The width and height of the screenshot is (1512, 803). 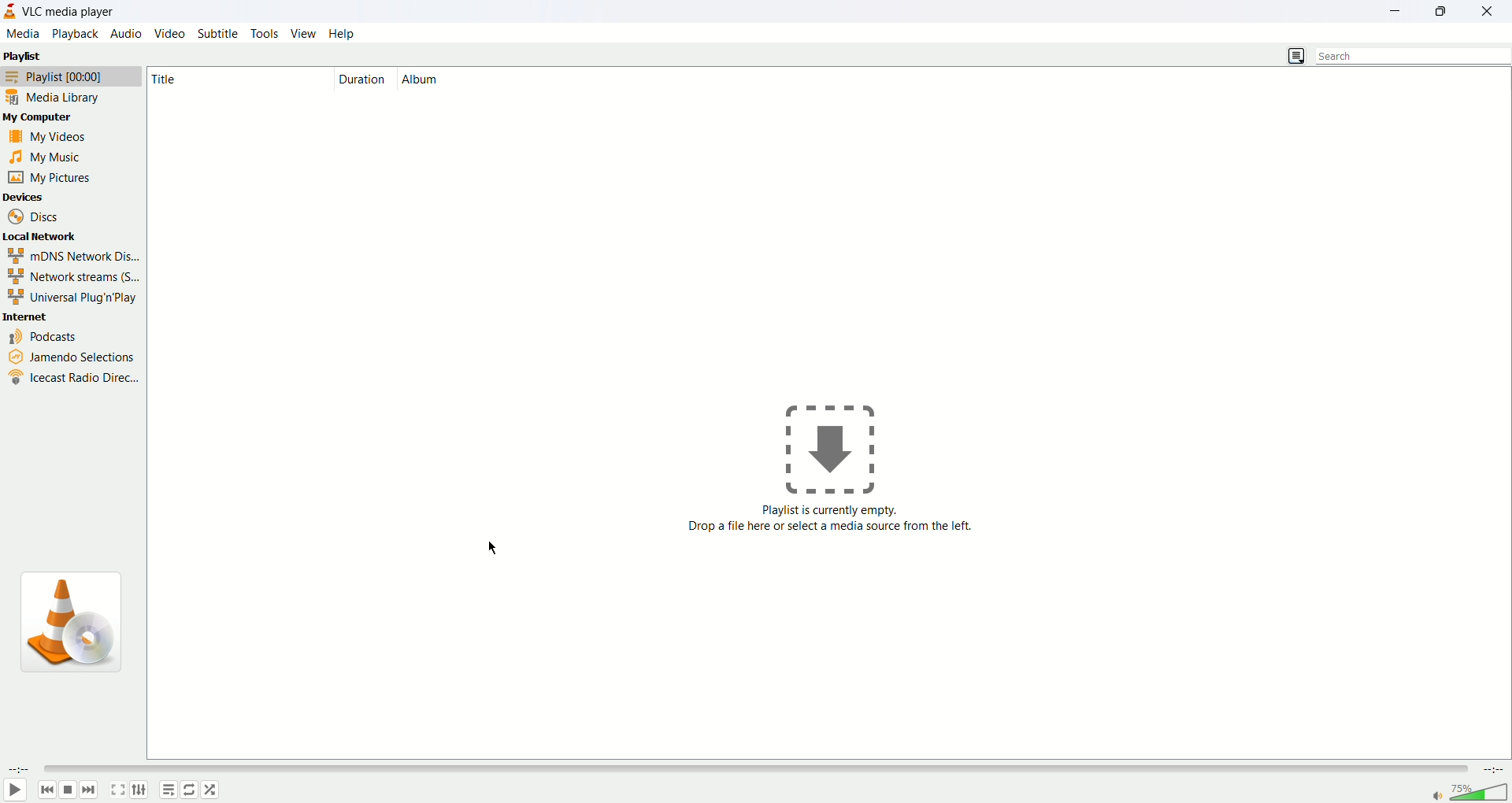 I want to click on toggle fullscreen, so click(x=118, y=790).